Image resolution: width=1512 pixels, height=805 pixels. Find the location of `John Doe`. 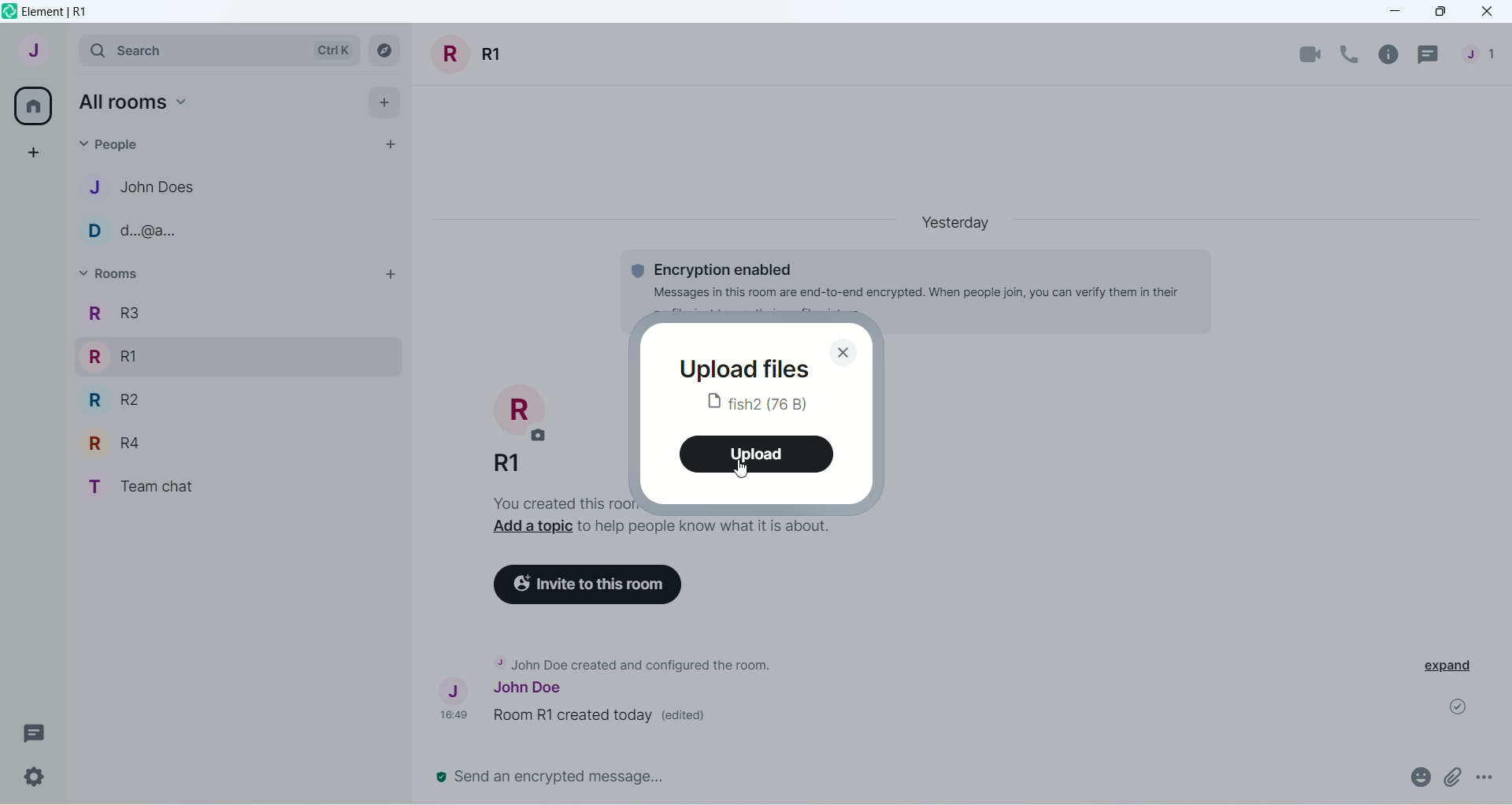

John Doe is located at coordinates (504, 690).